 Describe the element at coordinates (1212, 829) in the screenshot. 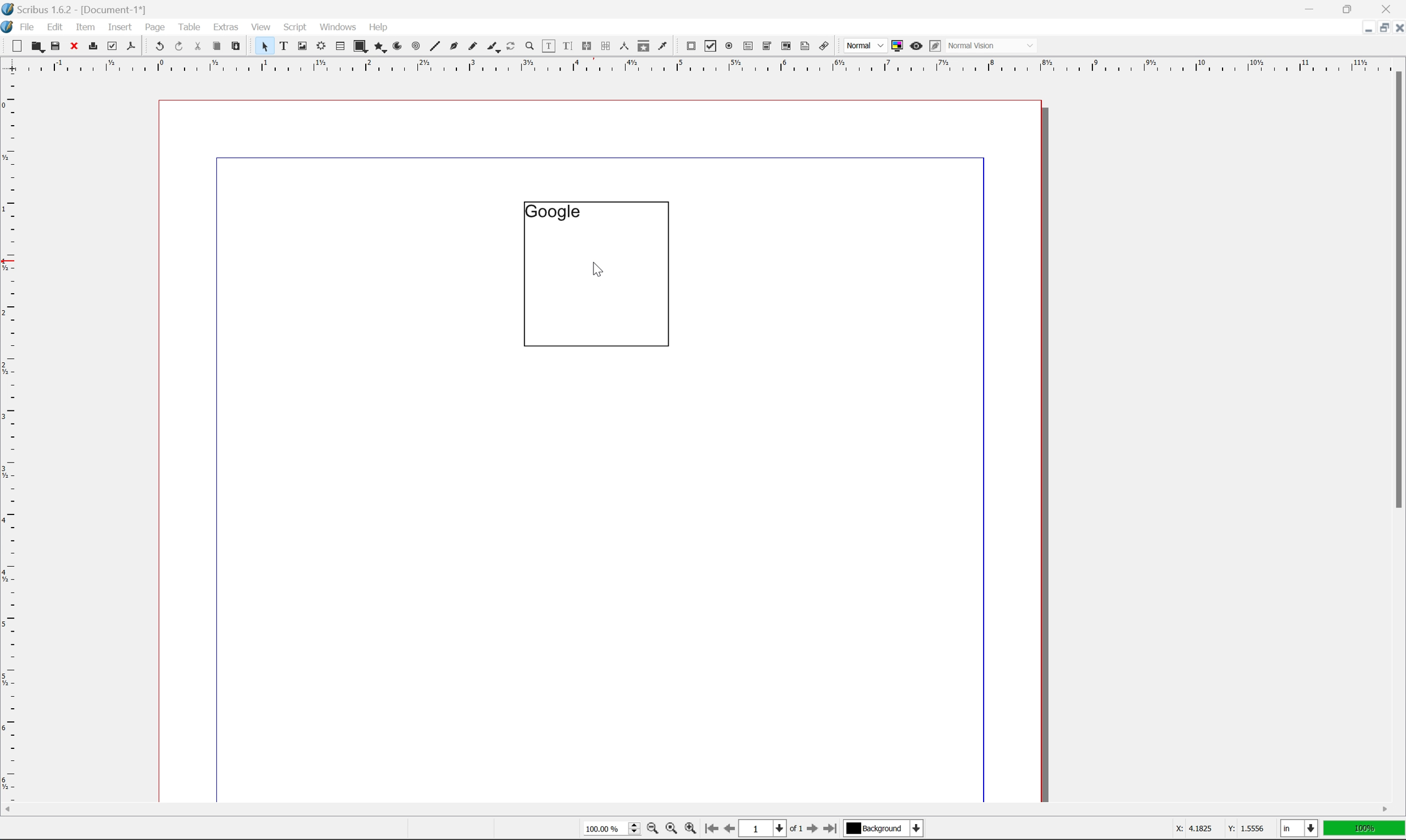

I see `coordinates` at that location.